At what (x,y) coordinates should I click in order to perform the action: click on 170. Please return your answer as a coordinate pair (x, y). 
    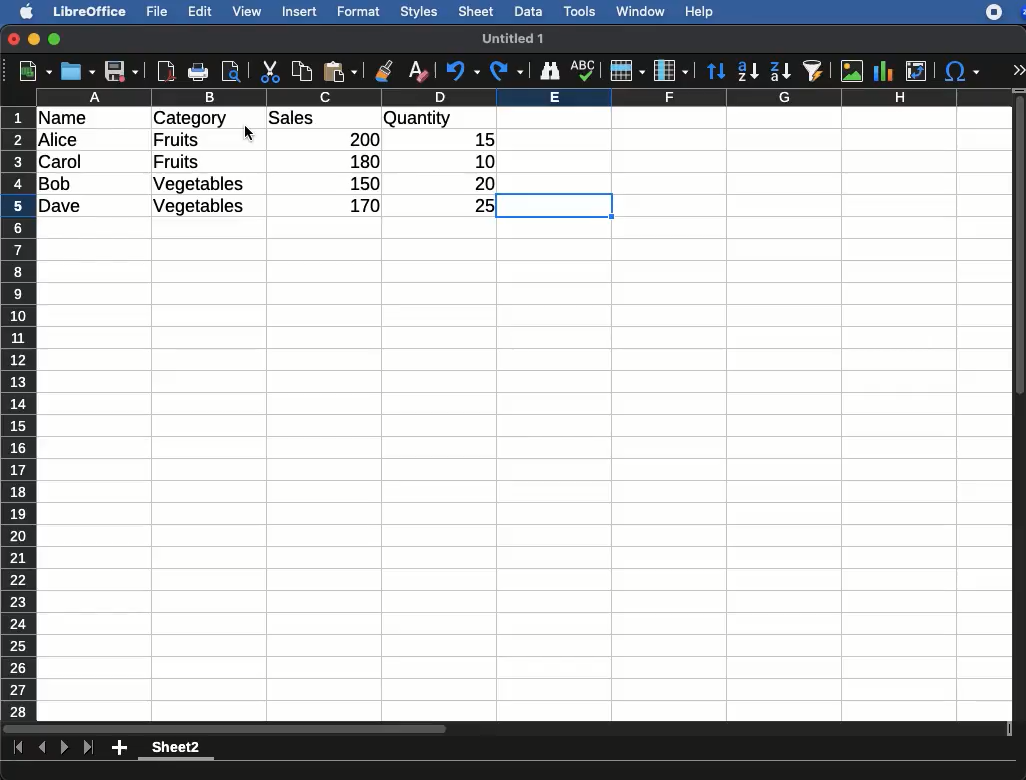
    Looking at the image, I should click on (359, 206).